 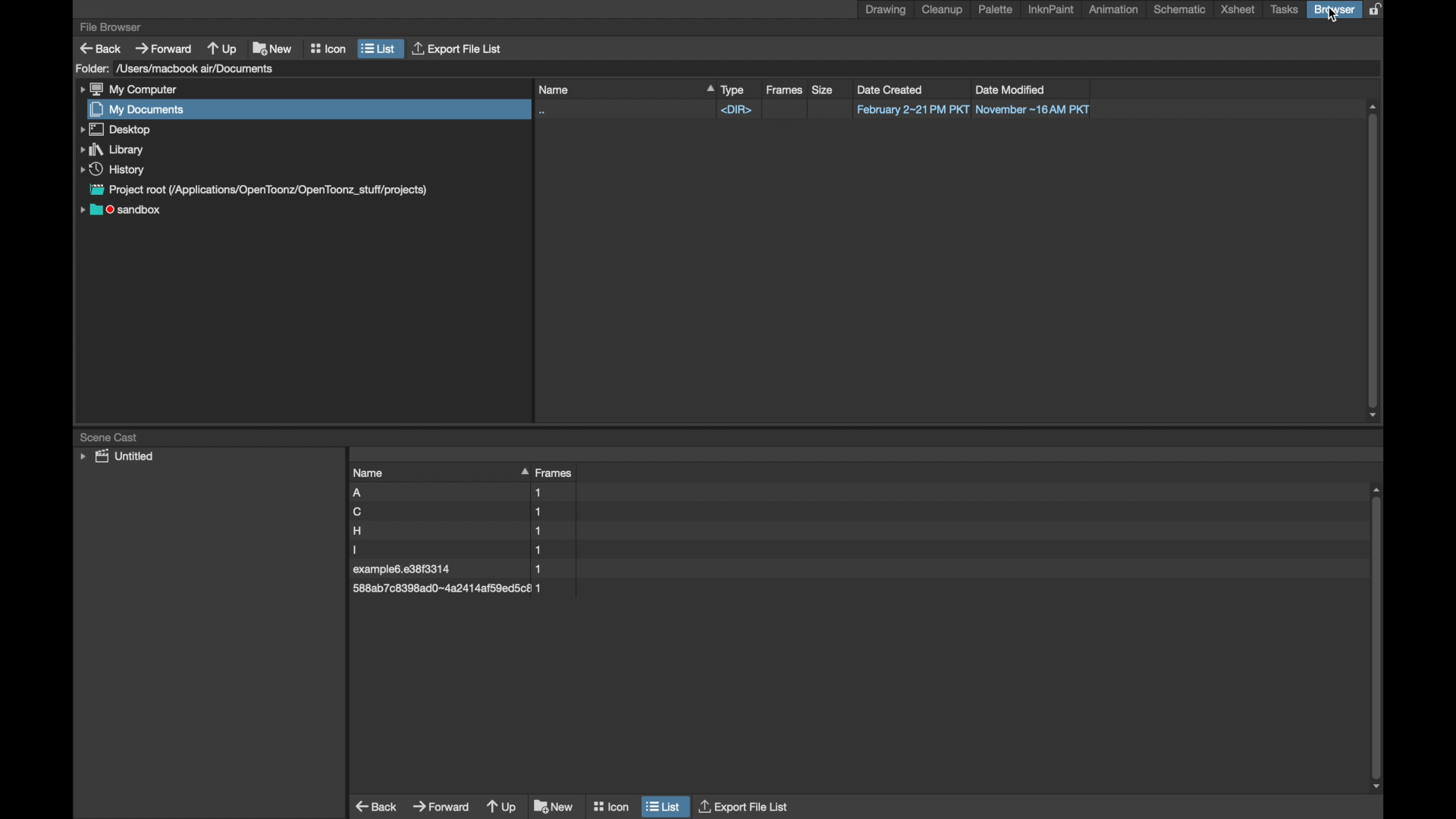 What do you see at coordinates (822, 89) in the screenshot?
I see `size` at bounding box center [822, 89].